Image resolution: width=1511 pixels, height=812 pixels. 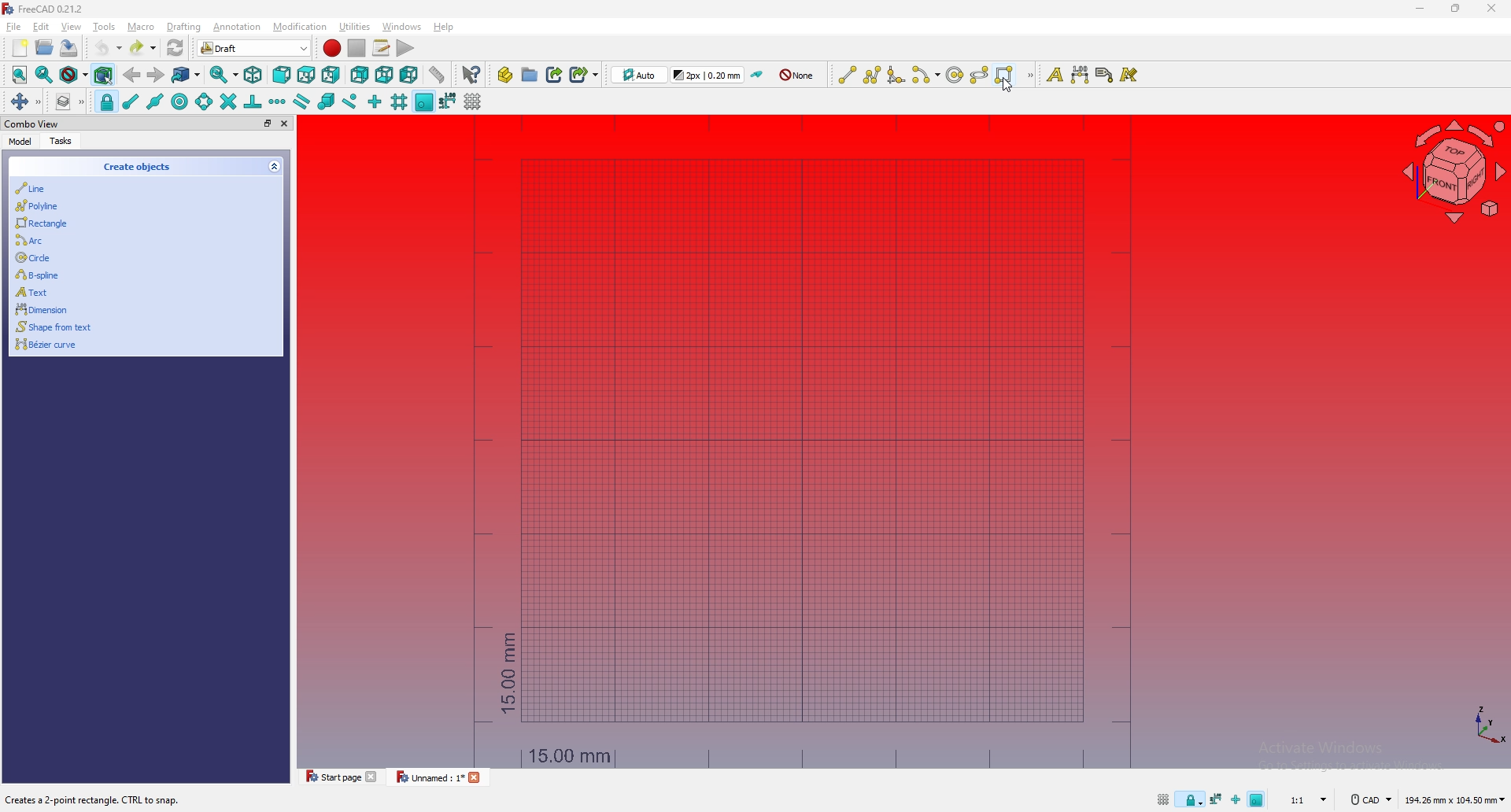 I want to click on snap midpoint, so click(x=155, y=101).